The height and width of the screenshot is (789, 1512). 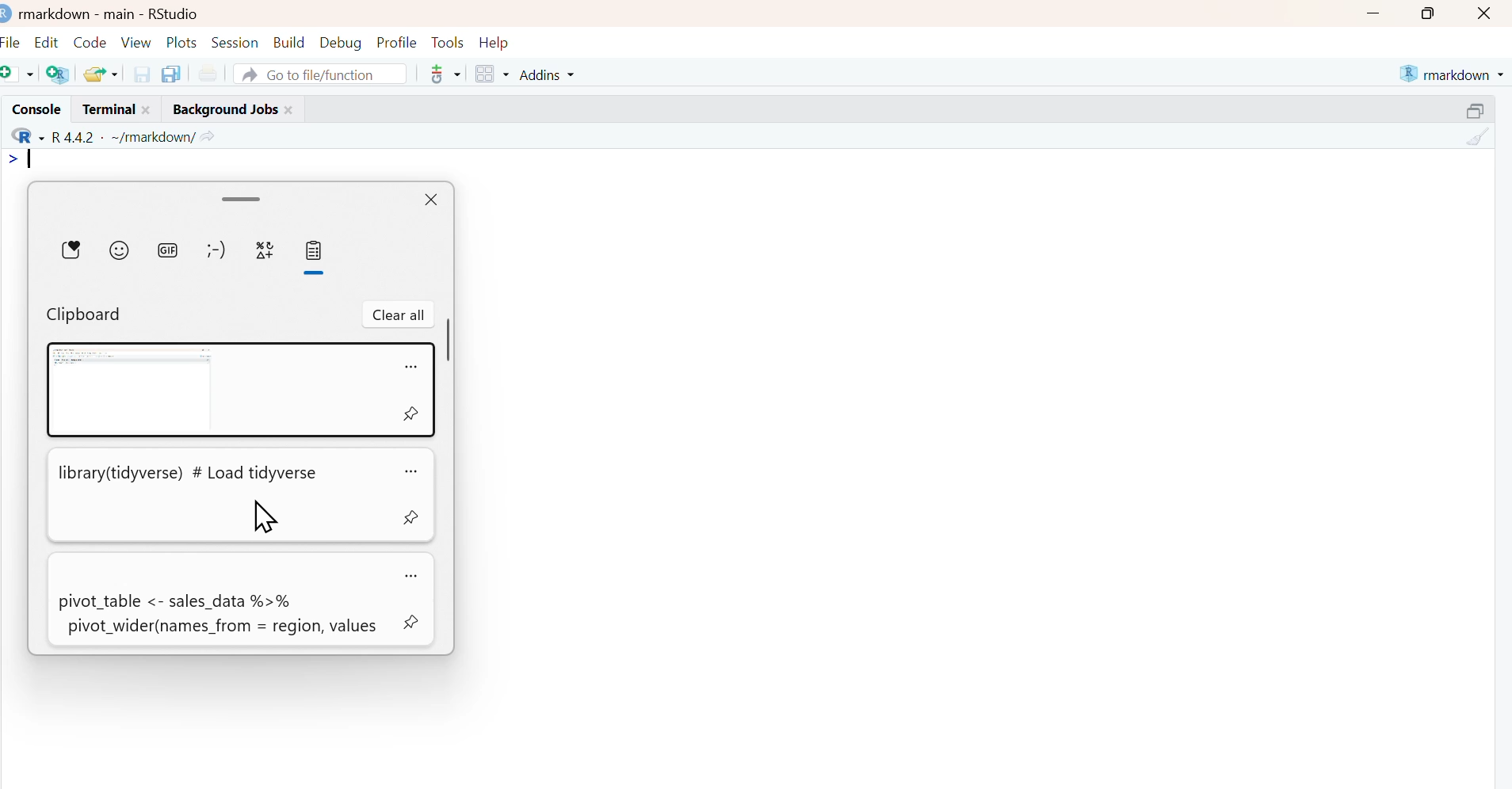 I want to click on GIFs, so click(x=173, y=253).